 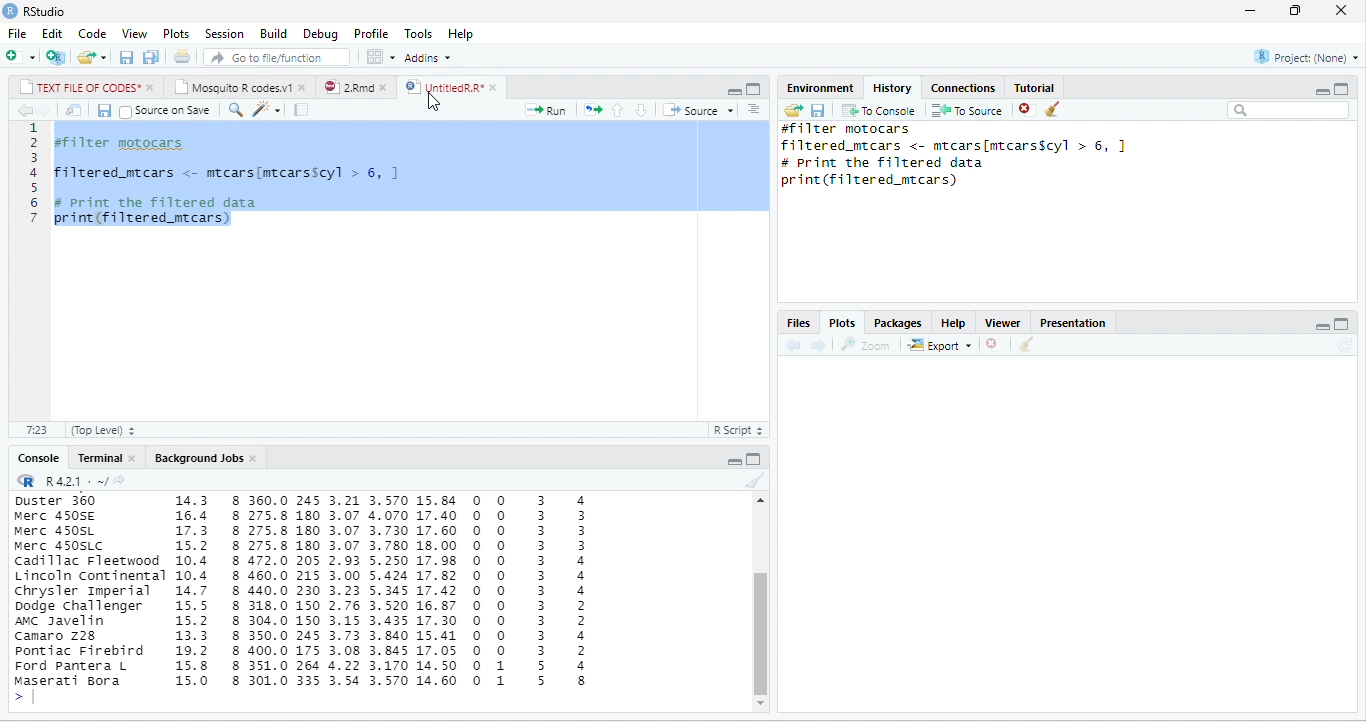 What do you see at coordinates (104, 430) in the screenshot?
I see `Top Level` at bounding box center [104, 430].